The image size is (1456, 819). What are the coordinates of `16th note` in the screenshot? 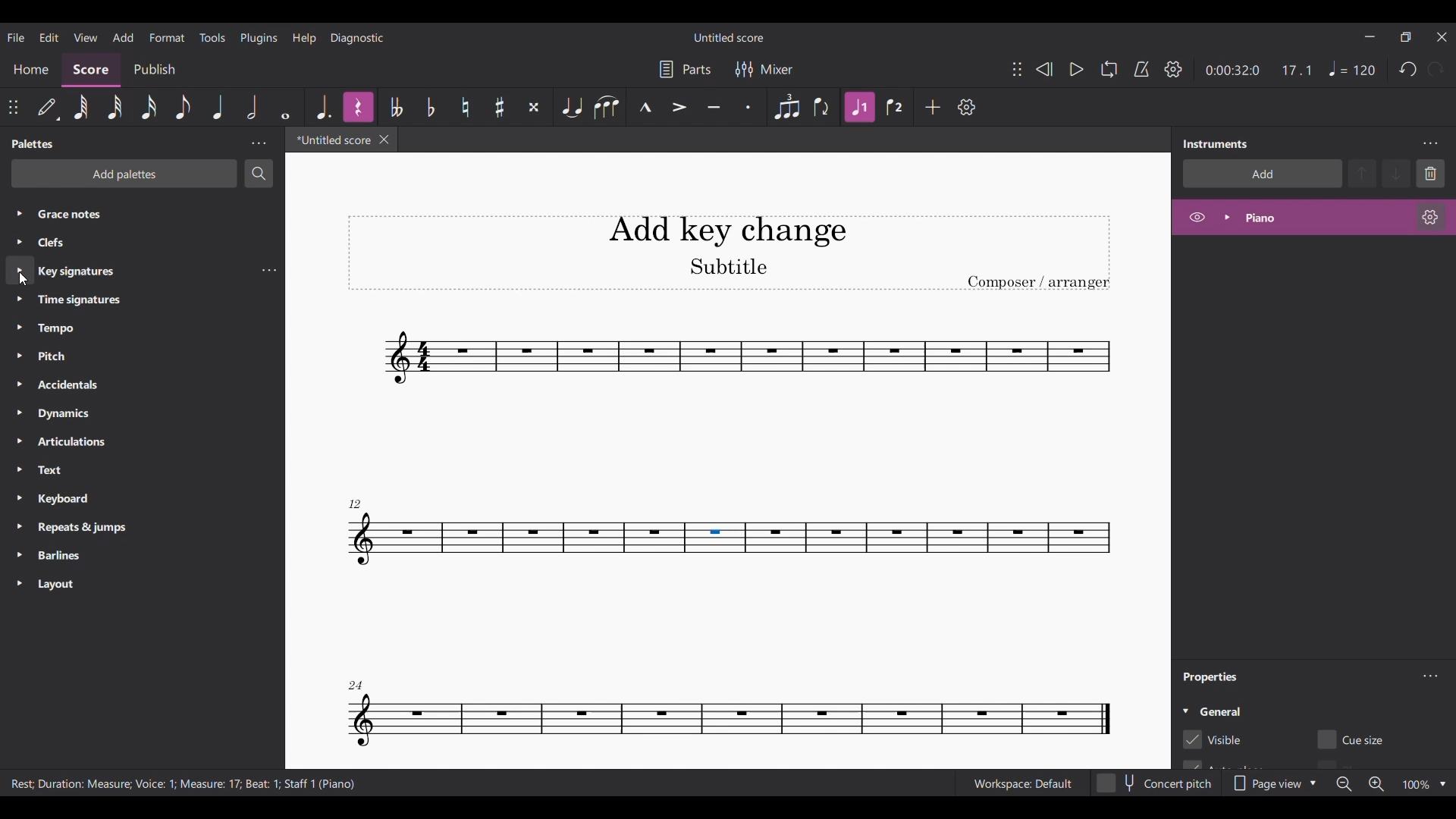 It's located at (149, 107).